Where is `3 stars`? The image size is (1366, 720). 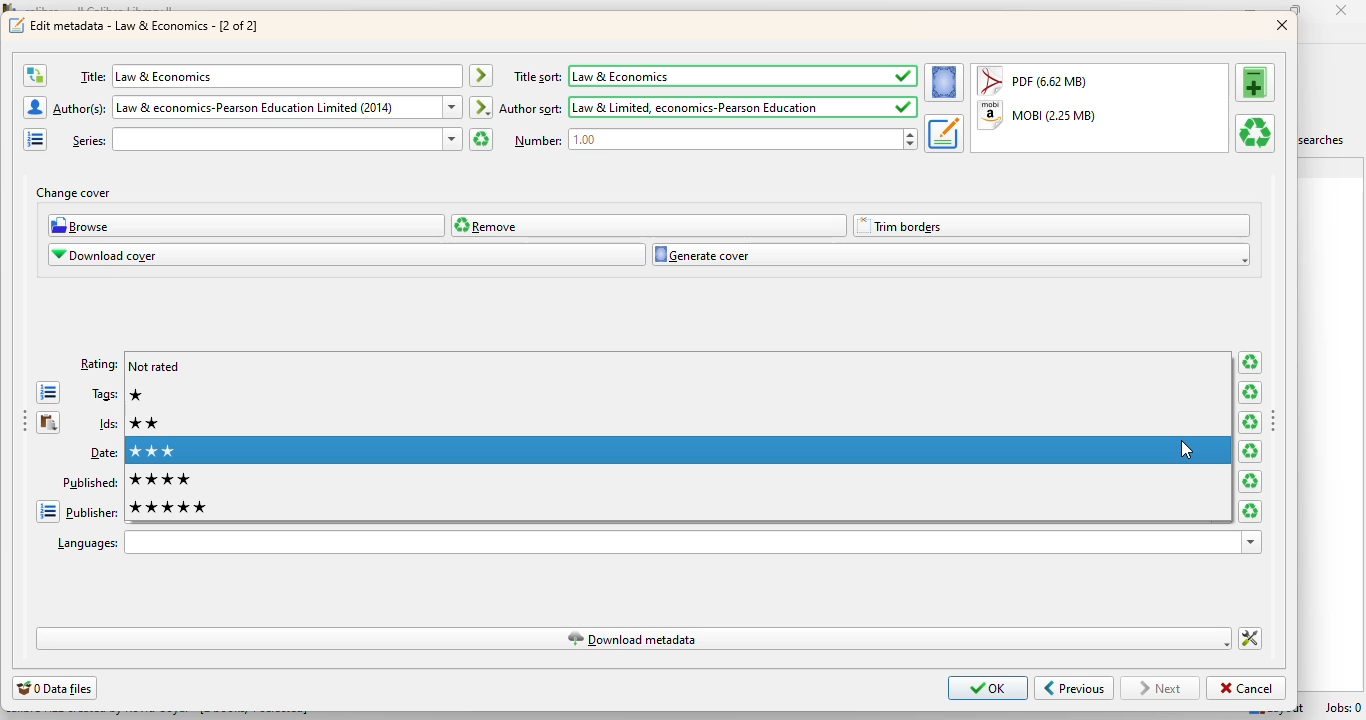
3 stars is located at coordinates (678, 451).